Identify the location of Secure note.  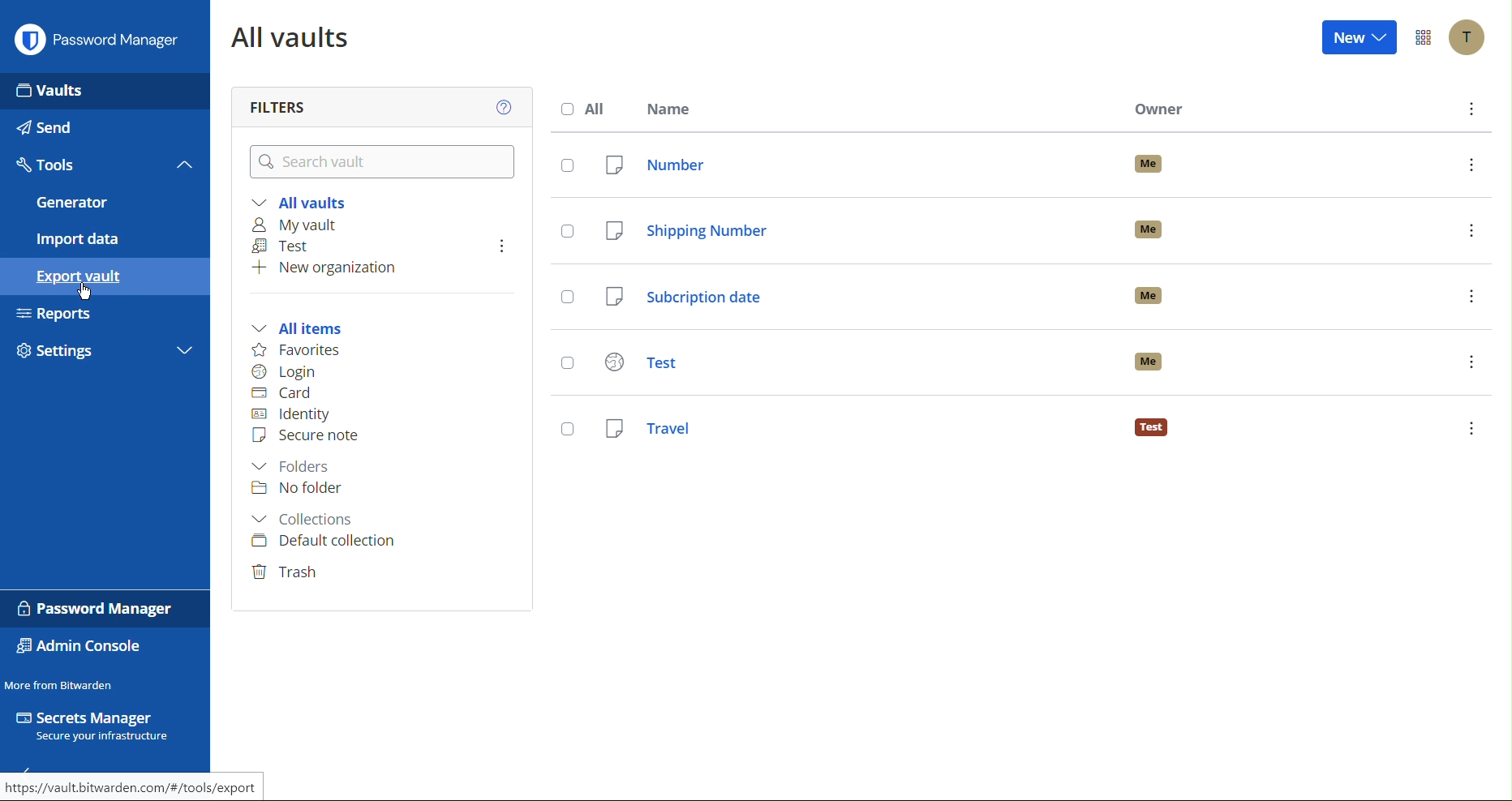
(311, 437).